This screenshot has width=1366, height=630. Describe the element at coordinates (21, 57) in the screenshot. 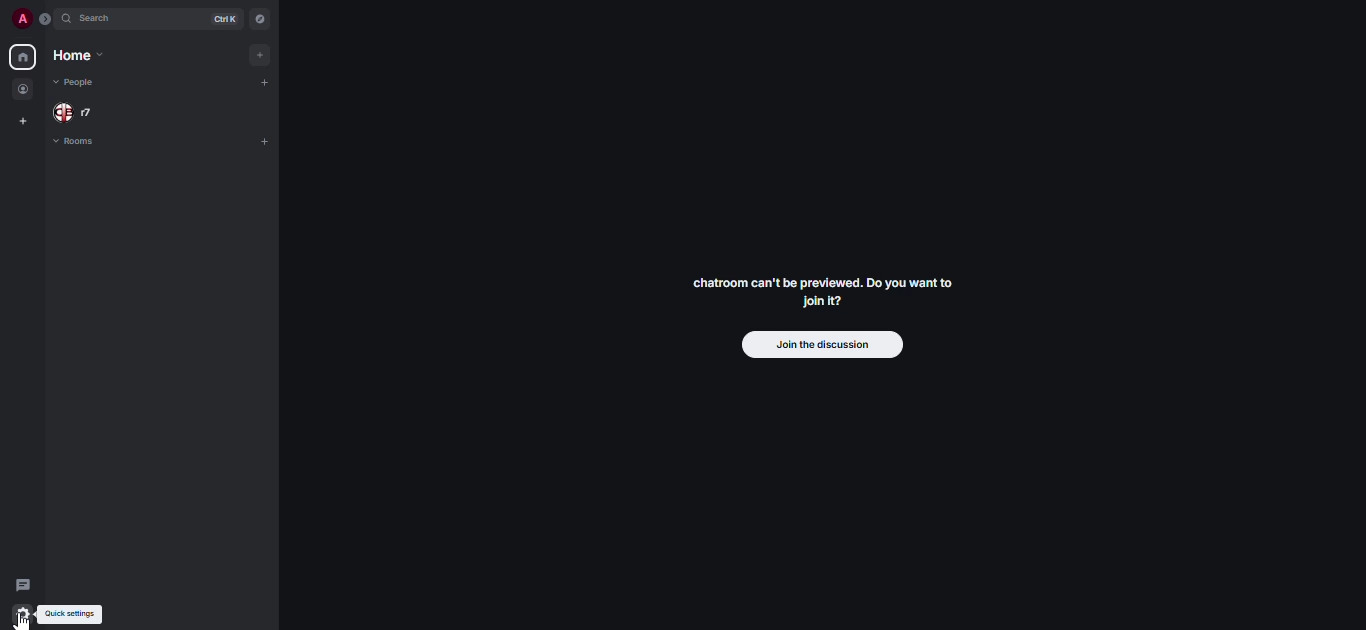

I see `home` at that location.